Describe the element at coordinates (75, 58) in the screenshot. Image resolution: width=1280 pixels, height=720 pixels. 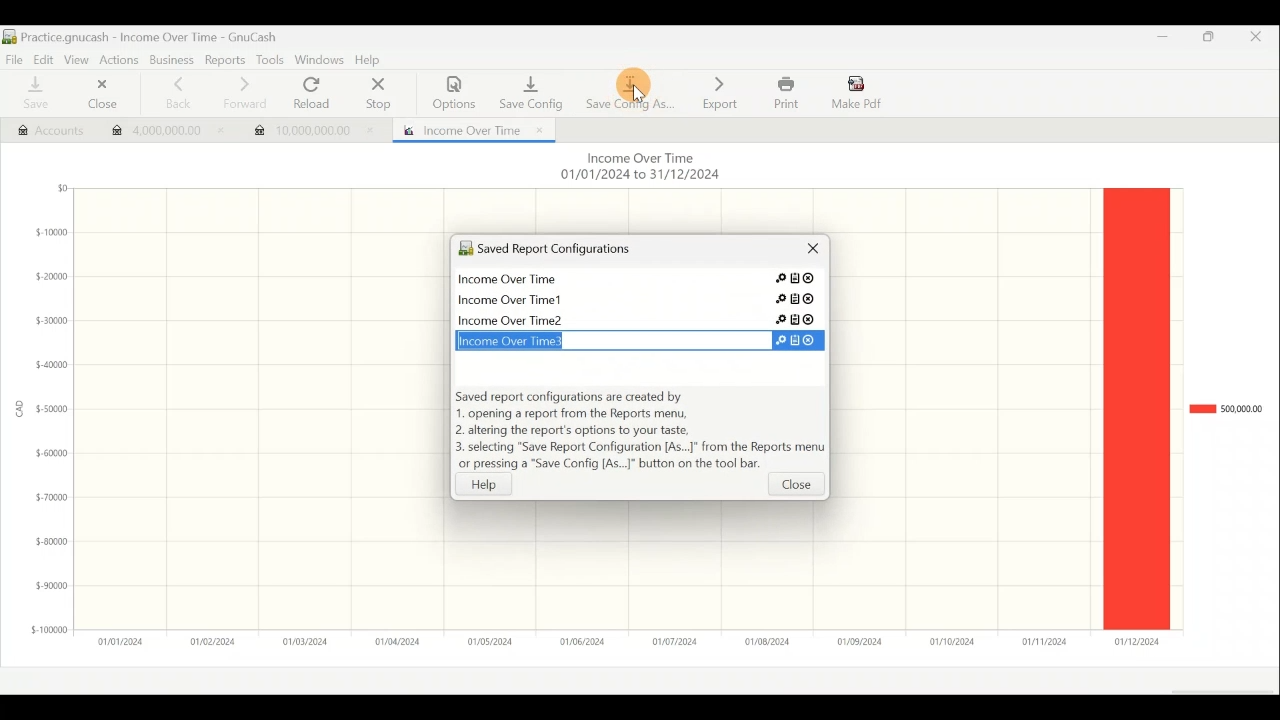
I see `View` at that location.